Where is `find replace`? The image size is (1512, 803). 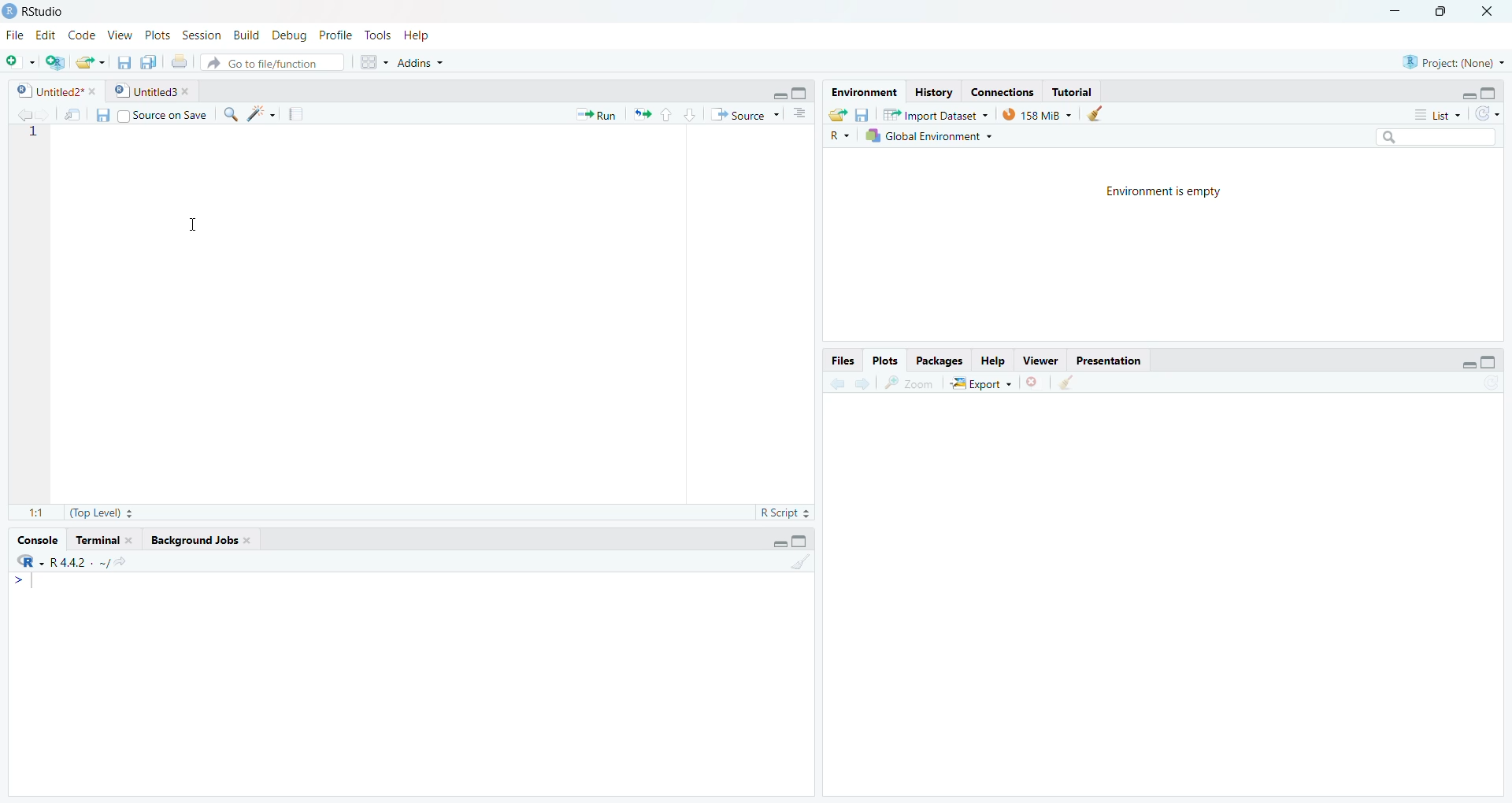 find replace is located at coordinates (229, 113).